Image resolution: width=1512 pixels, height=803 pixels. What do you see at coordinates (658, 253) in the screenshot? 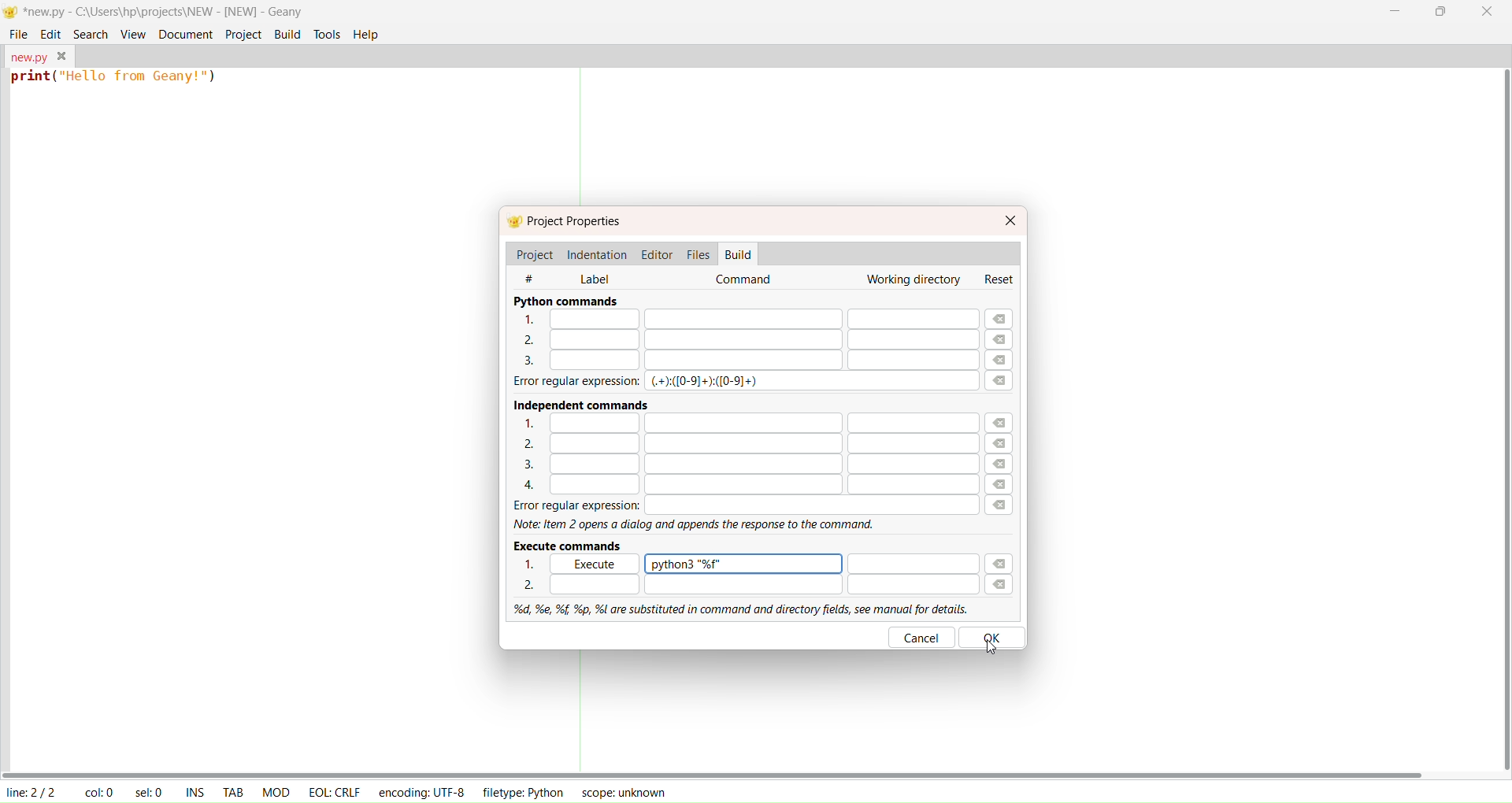
I see `editor` at bounding box center [658, 253].